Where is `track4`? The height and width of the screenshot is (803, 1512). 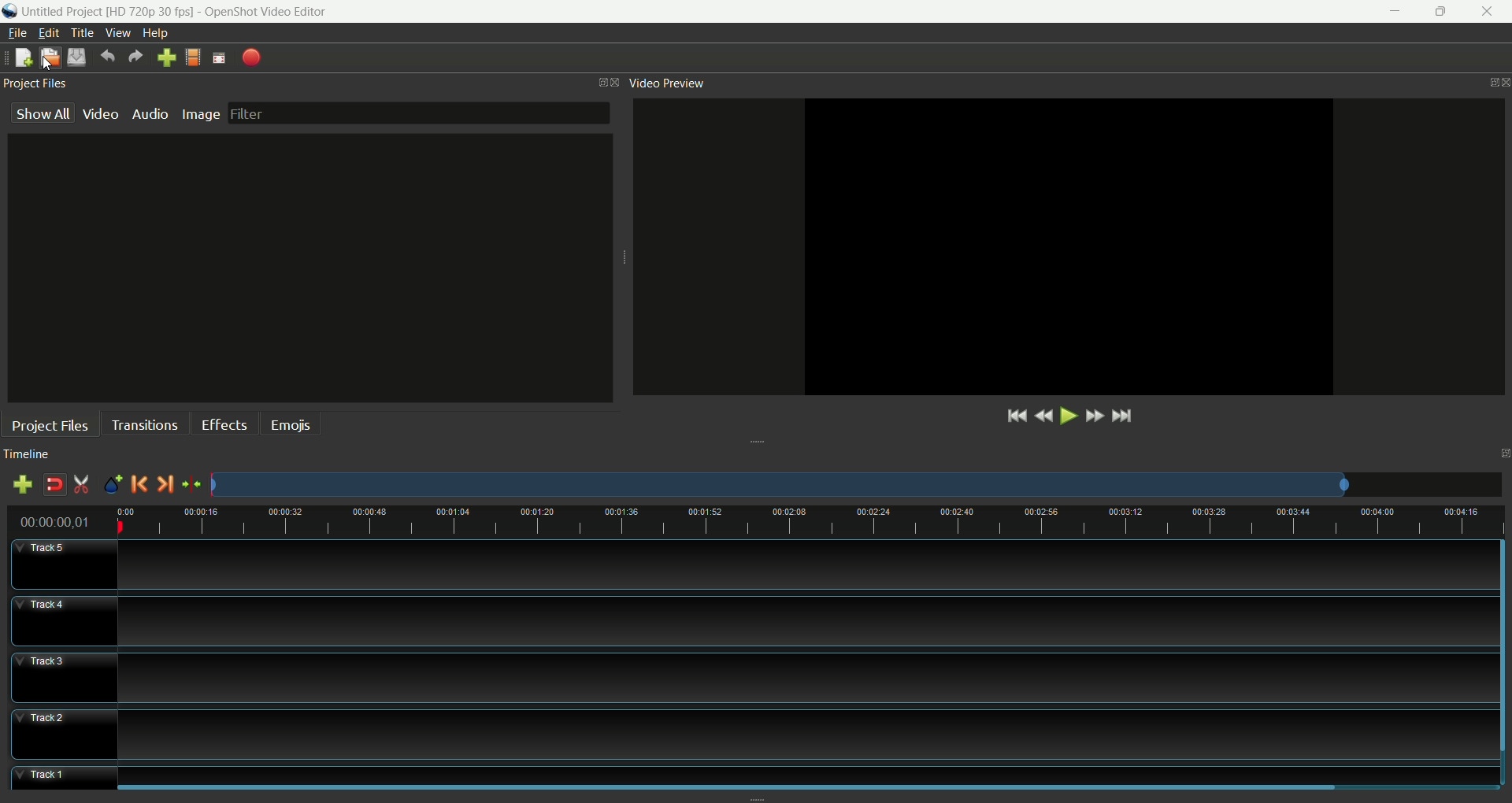
track4 is located at coordinates (60, 620).